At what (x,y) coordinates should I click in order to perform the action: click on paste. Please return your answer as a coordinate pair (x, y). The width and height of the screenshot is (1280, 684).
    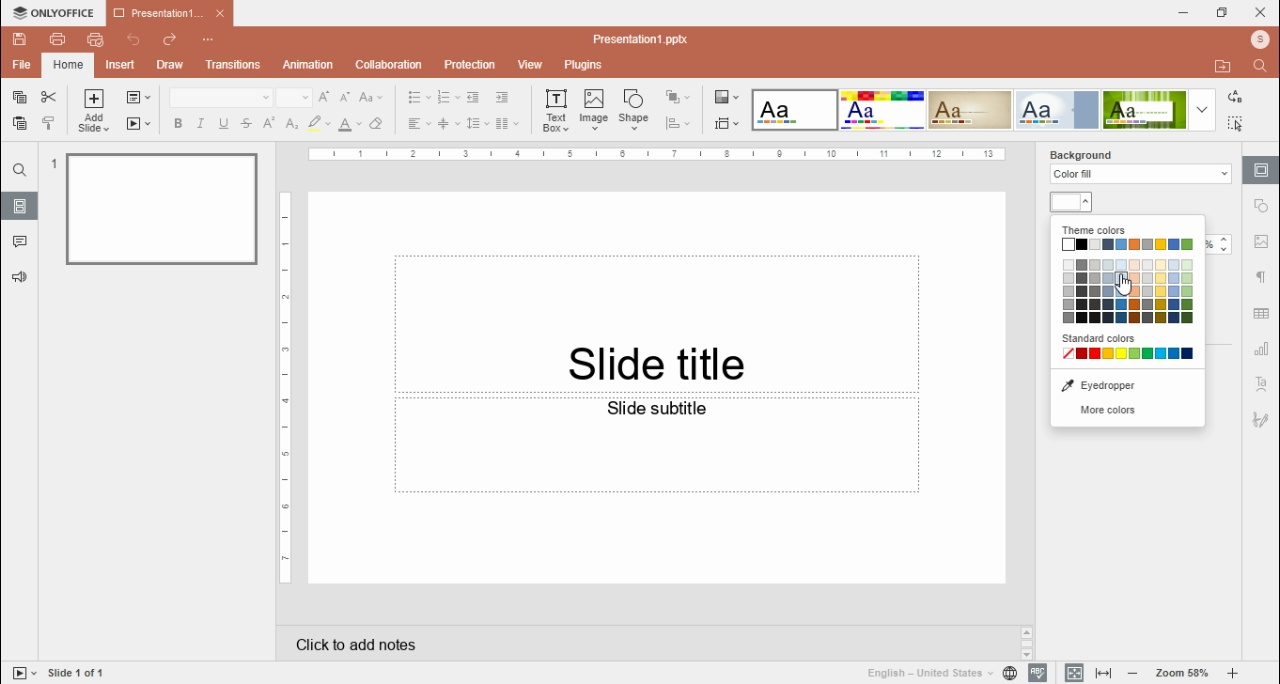
    Looking at the image, I should click on (19, 123).